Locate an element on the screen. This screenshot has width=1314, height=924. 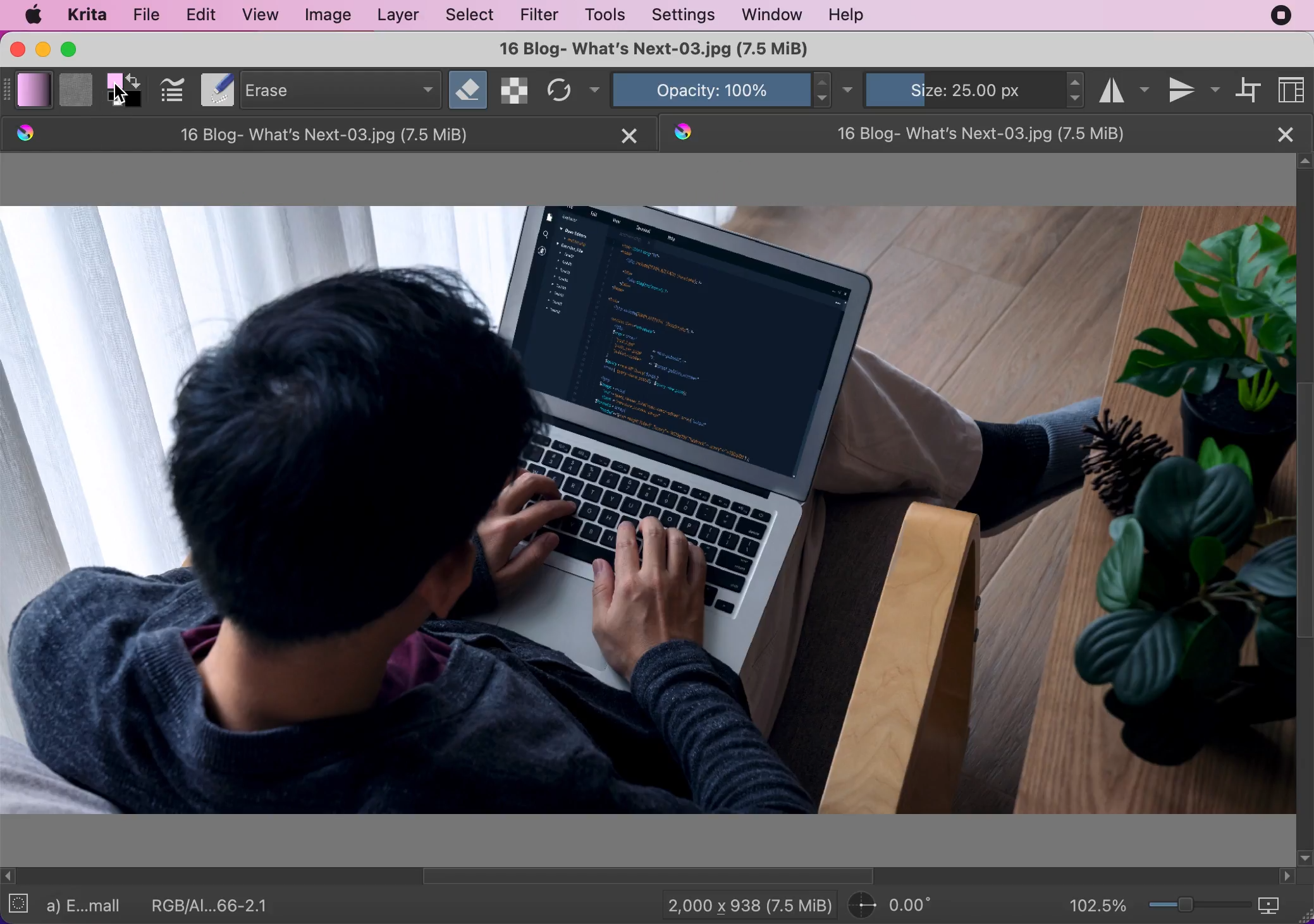
close is located at coordinates (629, 137).